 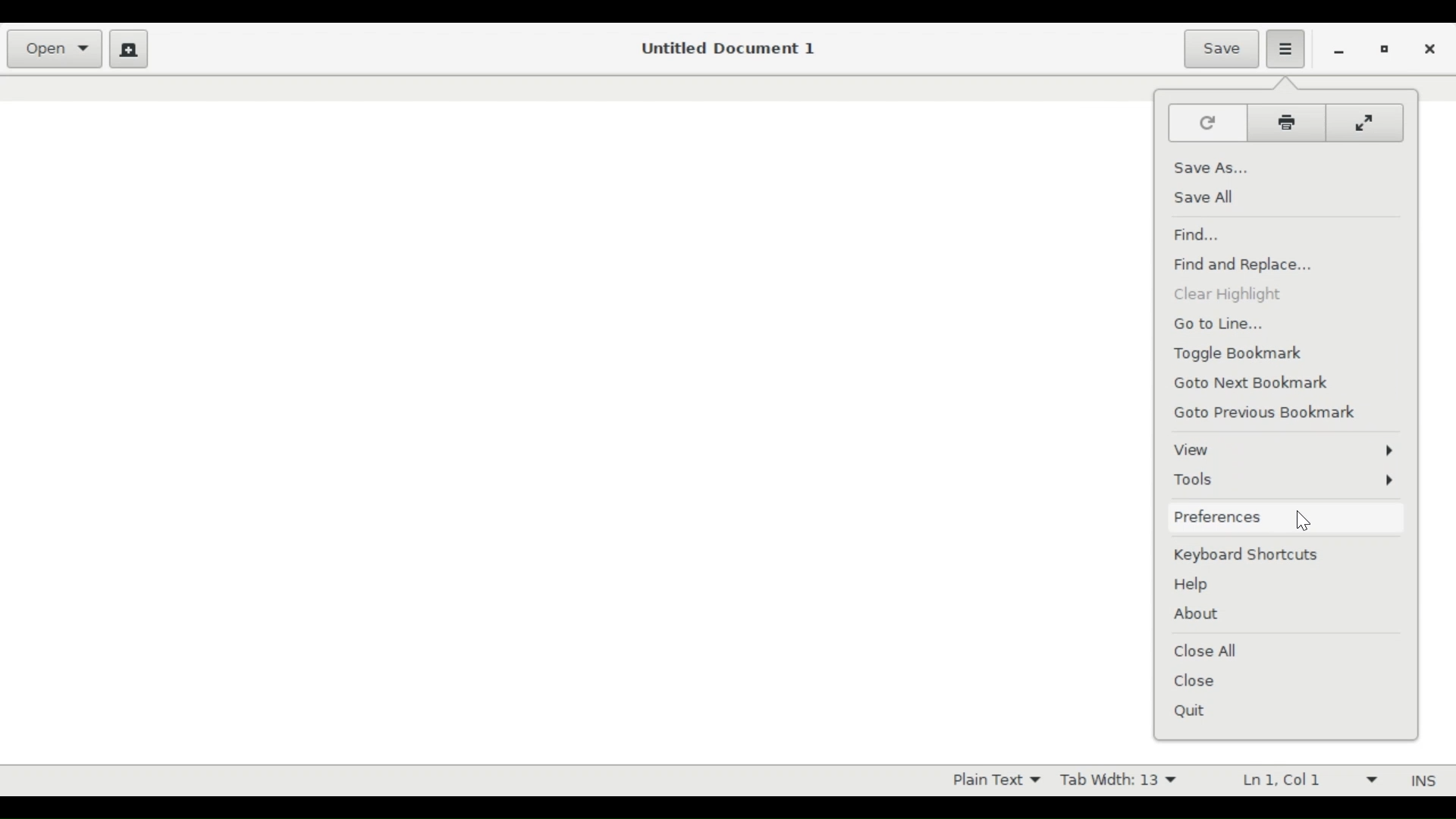 What do you see at coordinates (1420, 780) in the screenshot?
I see `INS` at bounding box center [1420, 780].